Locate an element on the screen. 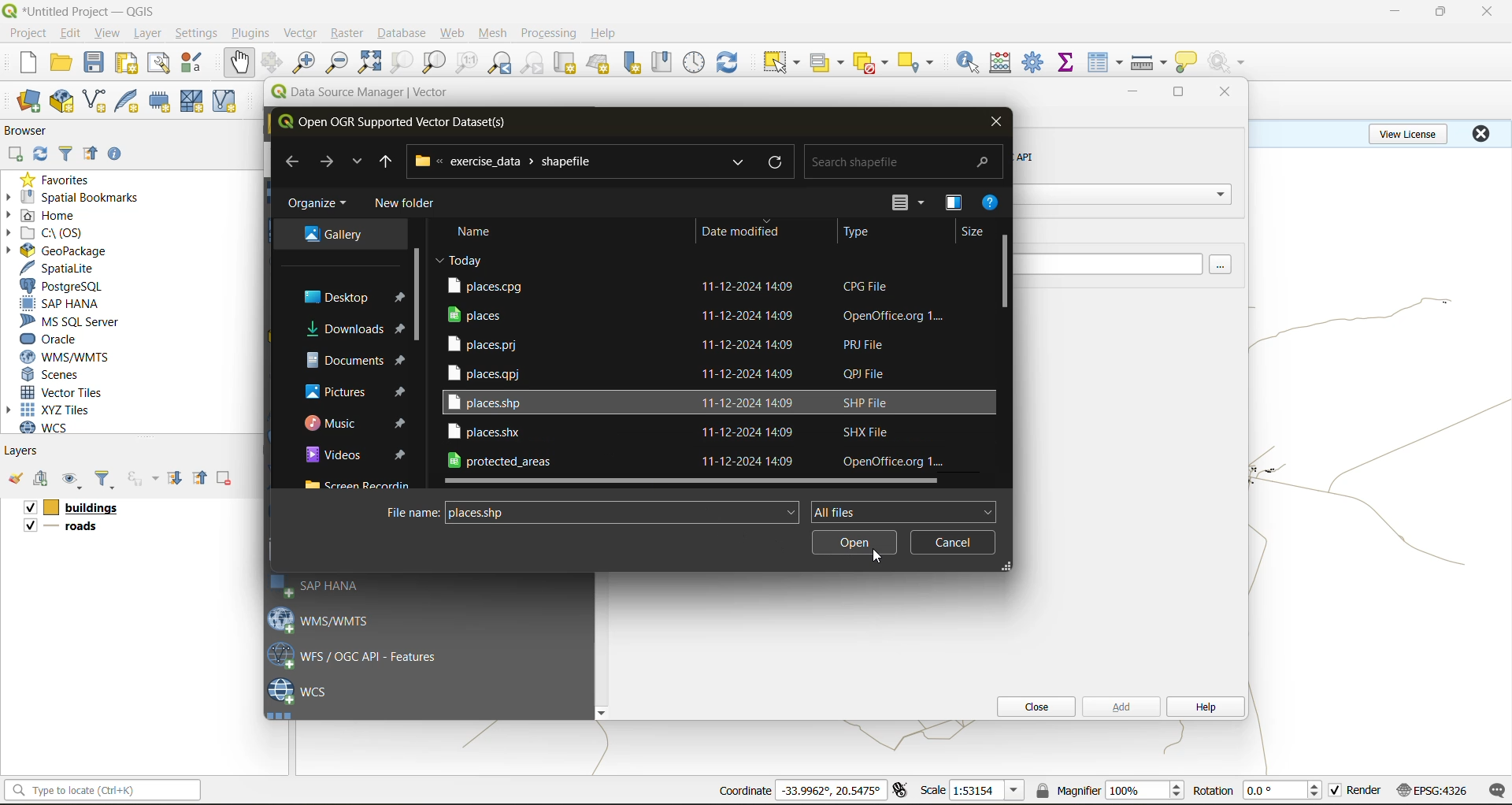  back is located at coordinates (292, 161).